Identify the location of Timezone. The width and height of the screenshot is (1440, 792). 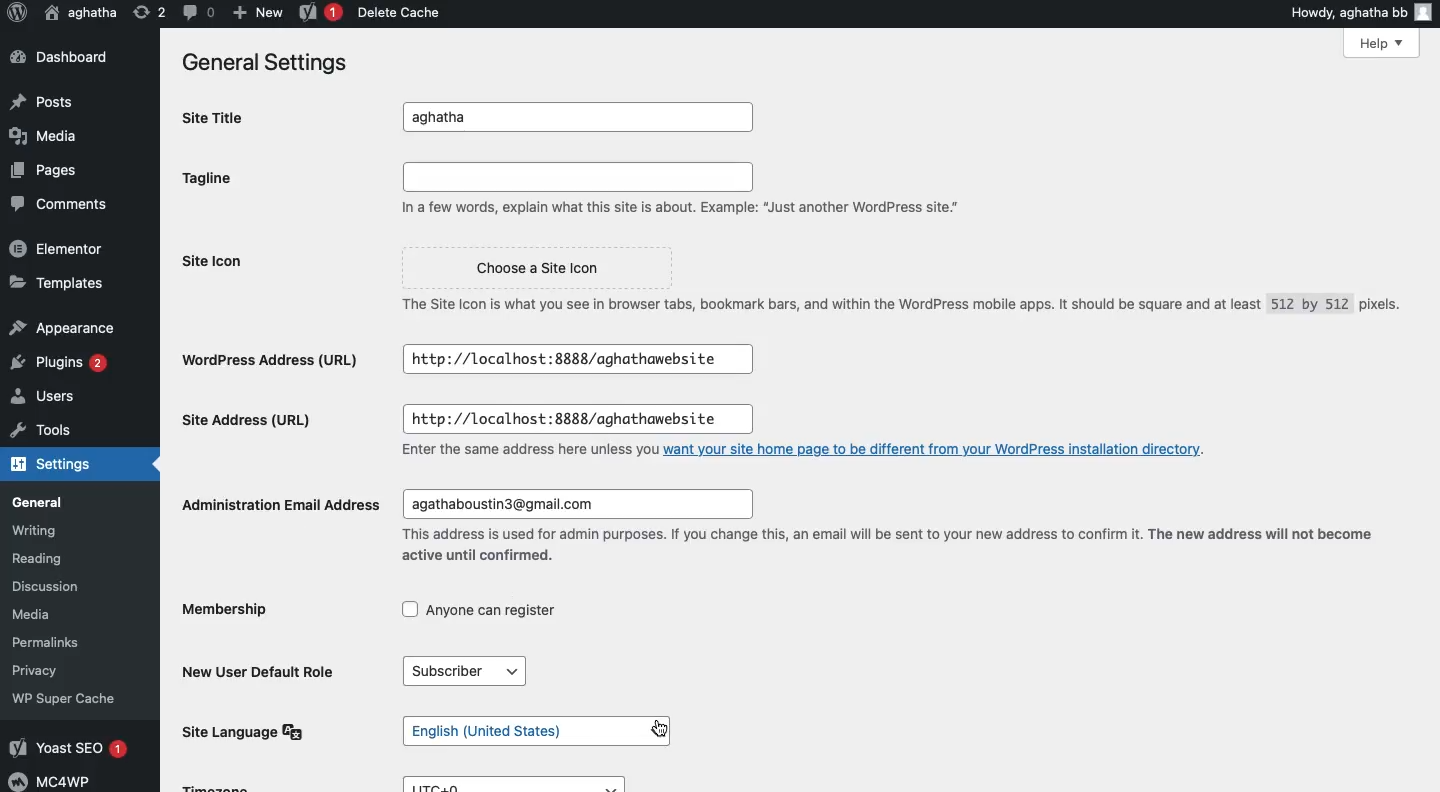
(218, 786).